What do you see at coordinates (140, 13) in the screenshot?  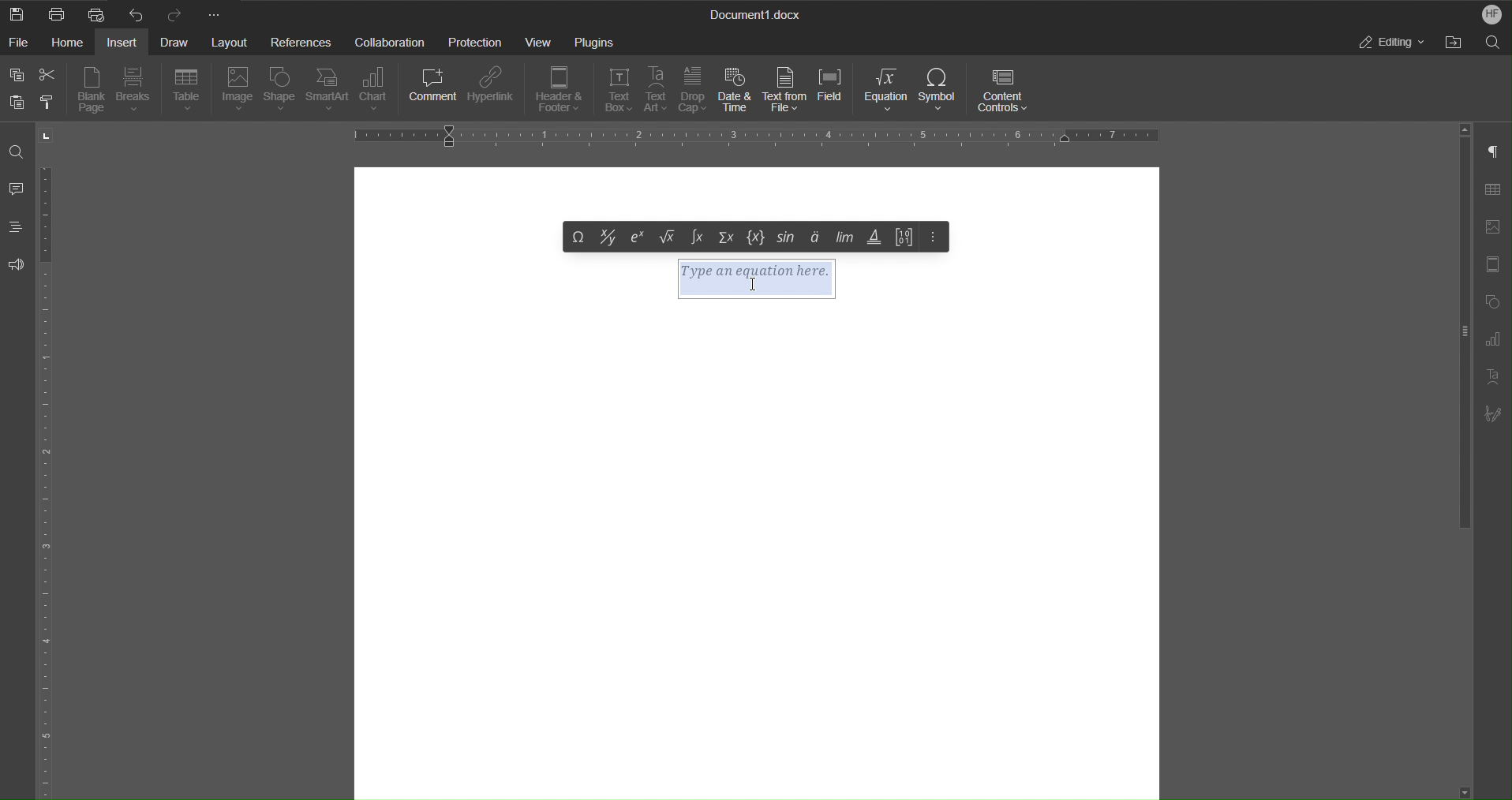 I see `Undo` at bounding box center [140, 13].